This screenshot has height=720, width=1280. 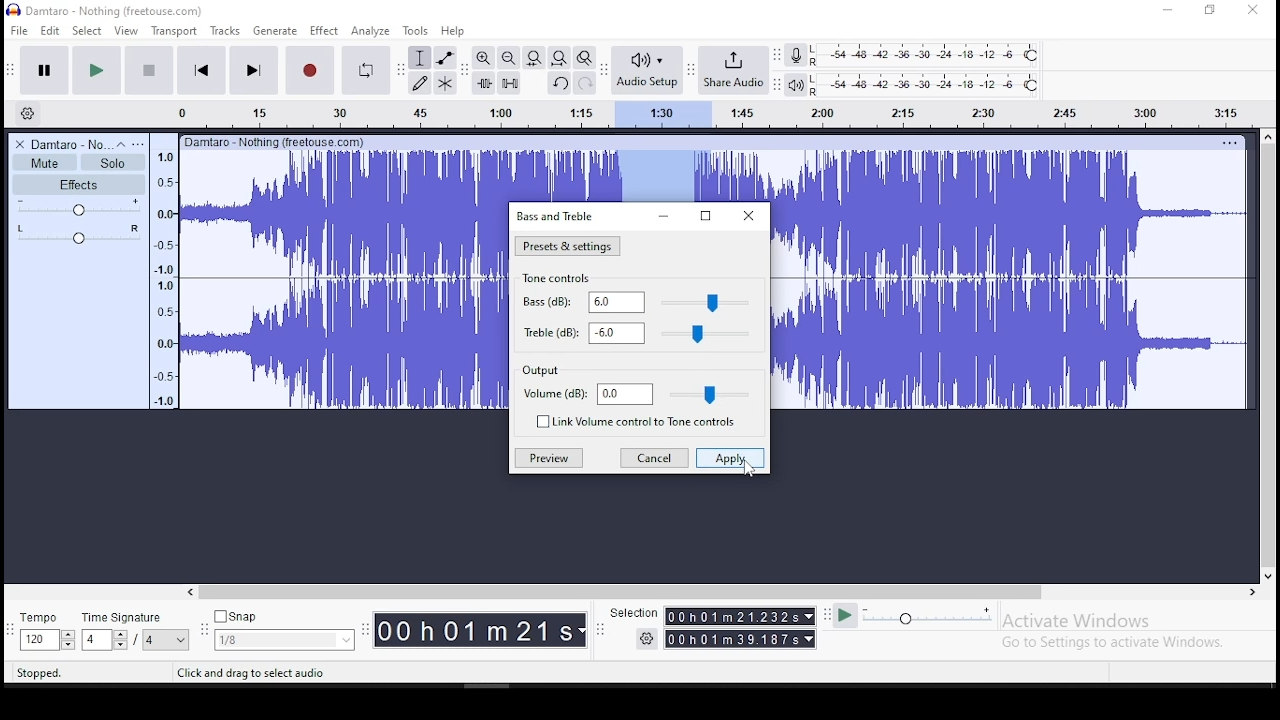 I want to click on cancel, so click(x=654, y=460).